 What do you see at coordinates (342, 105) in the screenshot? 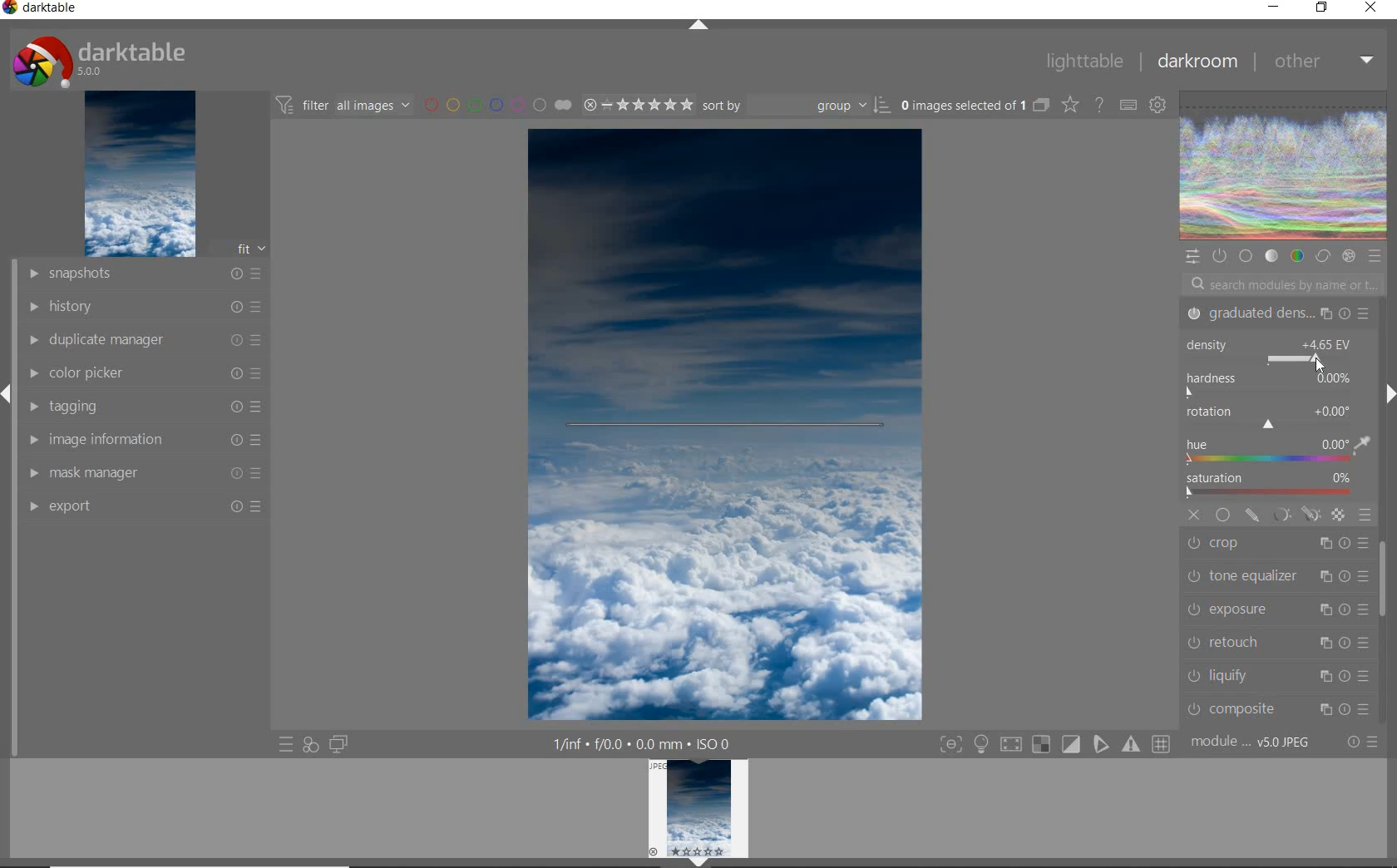
I see `FILTER ALL IMAGES` at bounding box center [342, 105].